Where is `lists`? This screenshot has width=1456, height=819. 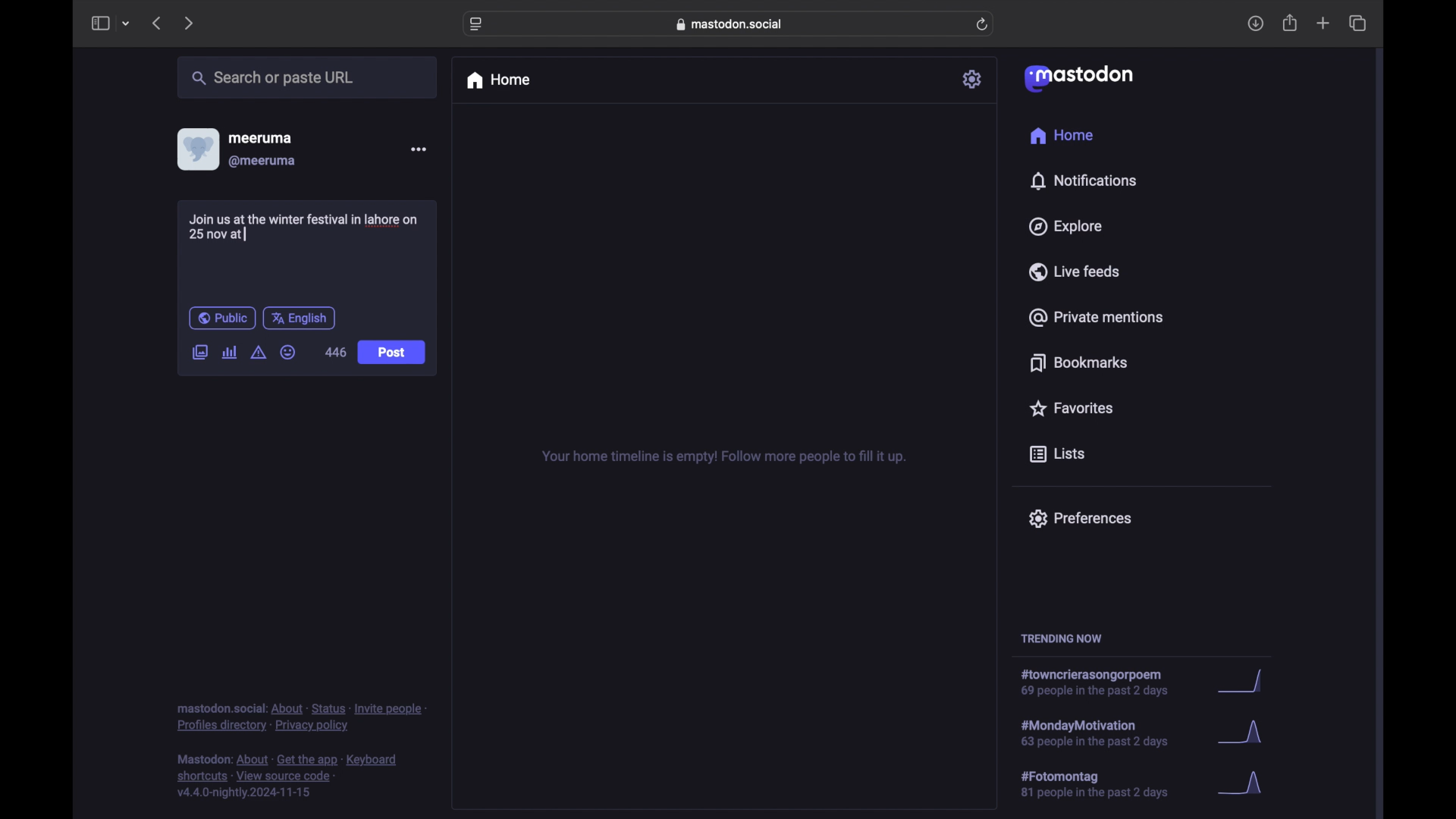
lists is located at coordinates (1057, 455).